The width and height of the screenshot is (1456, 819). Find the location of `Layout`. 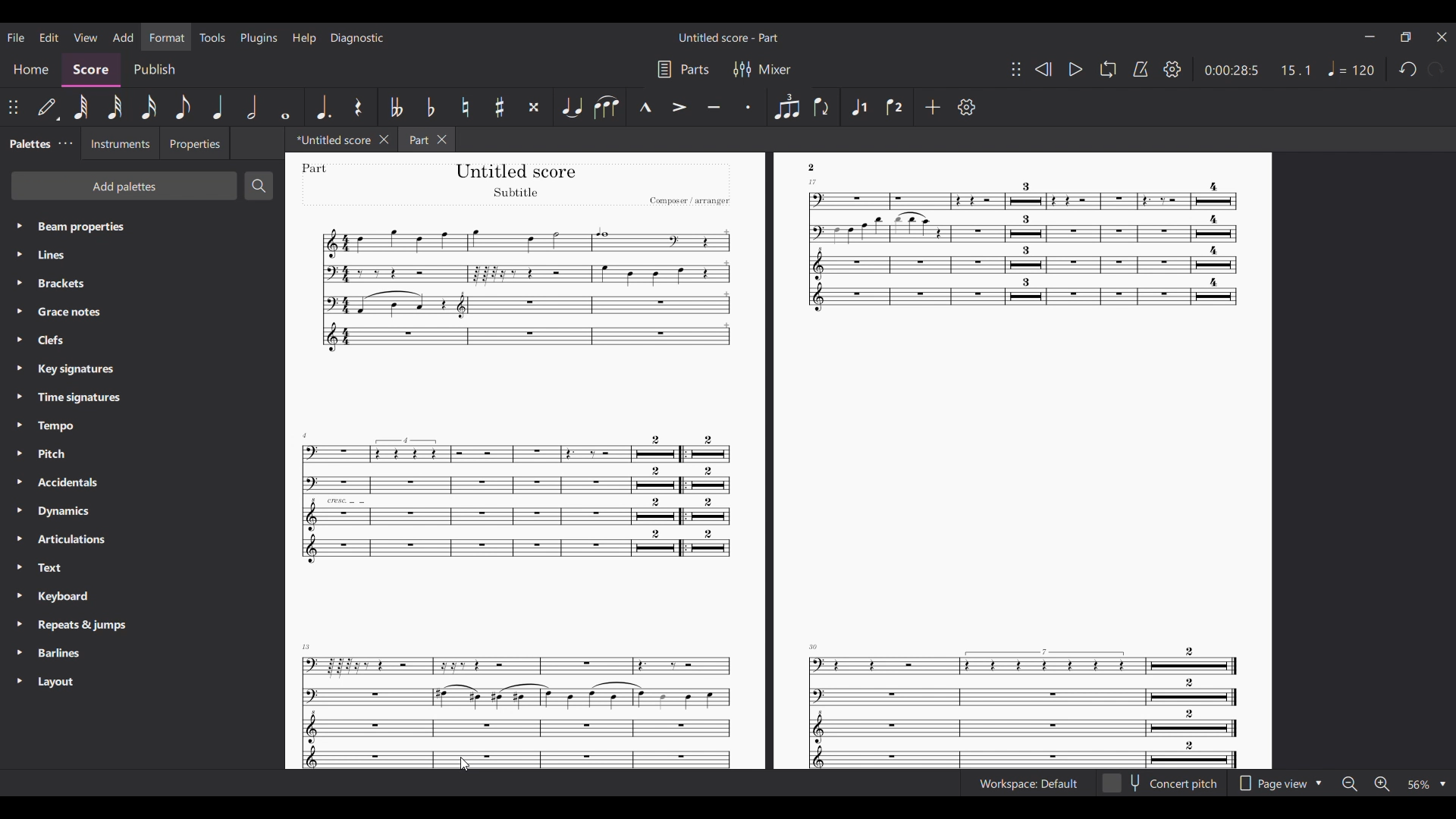

Layout is located at coordinates (54, 682).